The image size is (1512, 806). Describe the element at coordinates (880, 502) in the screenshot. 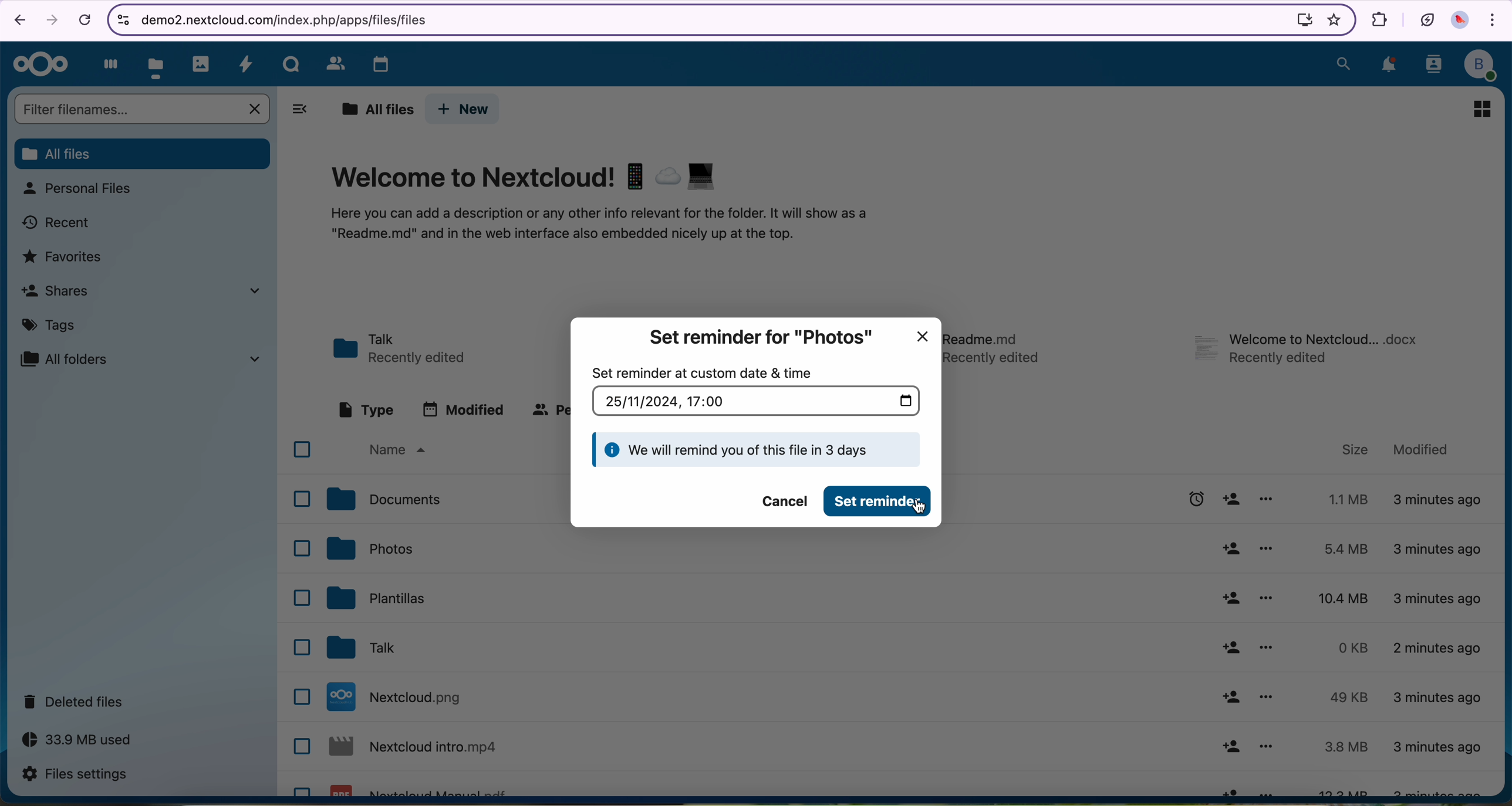

I see `click on set reminder` at that location.